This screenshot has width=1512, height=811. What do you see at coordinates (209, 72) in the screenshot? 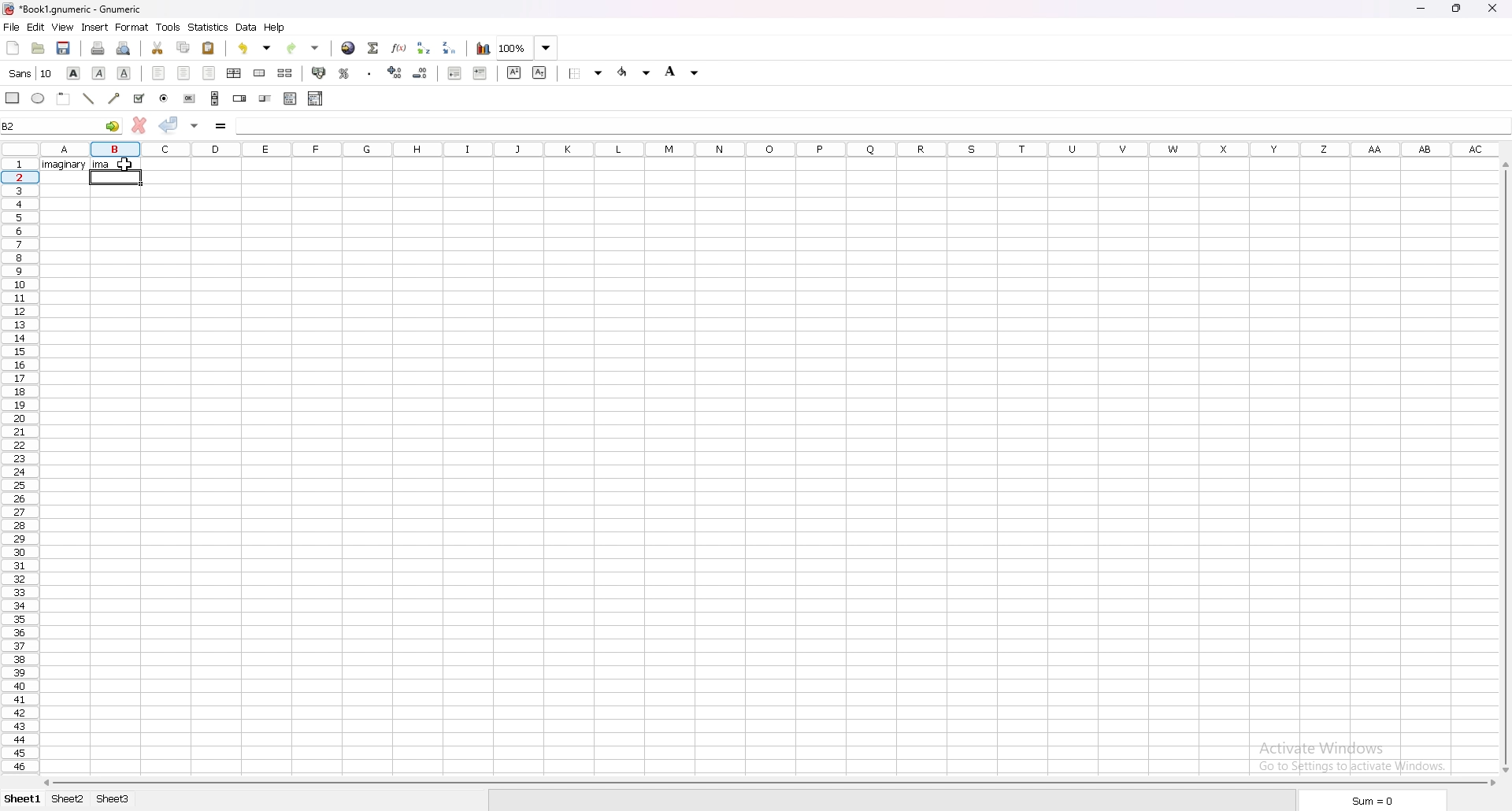
I see `right align` at bounding box center [209, 72].